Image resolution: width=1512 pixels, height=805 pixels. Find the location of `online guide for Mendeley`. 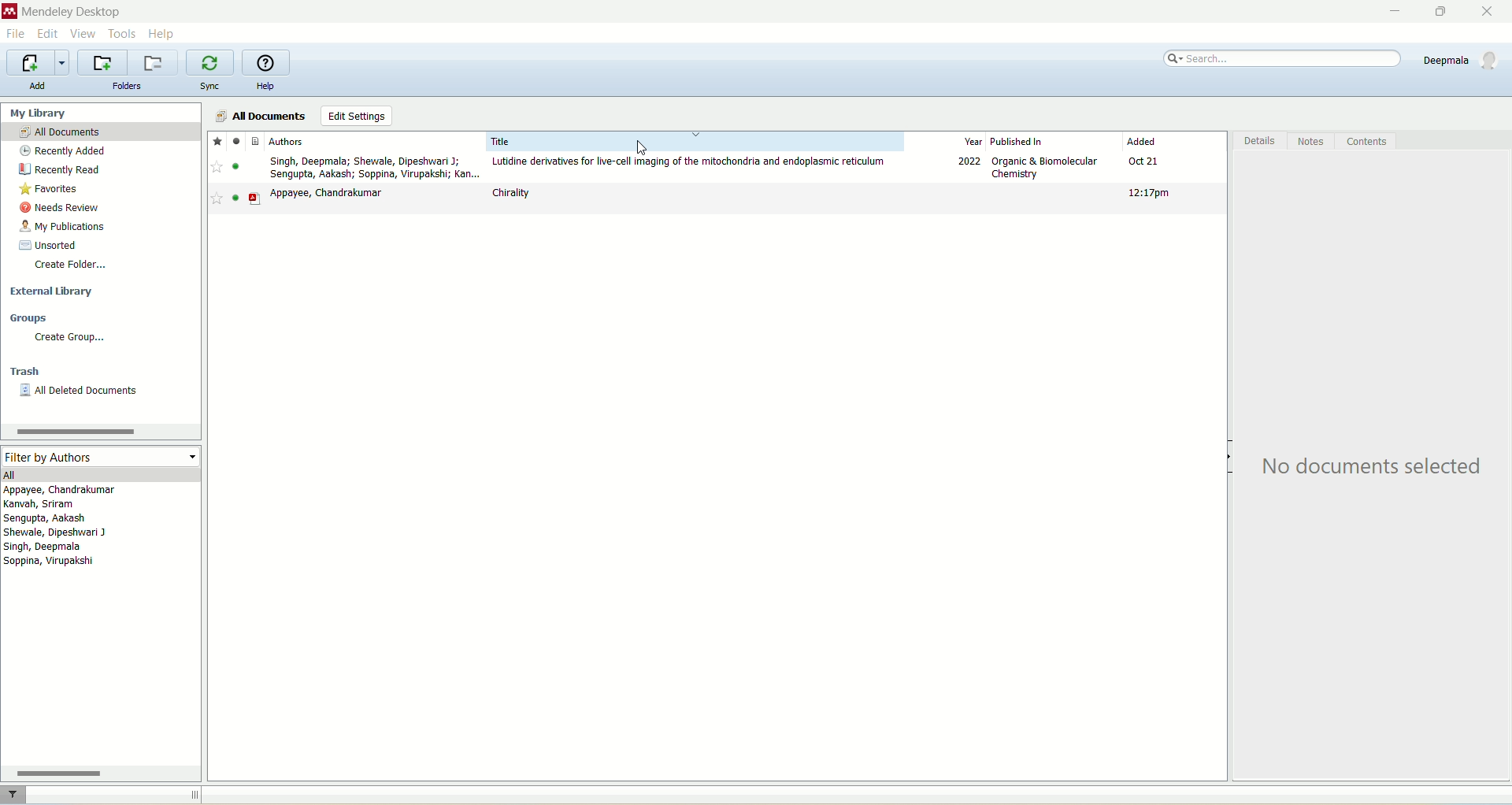

online guide for Mendeley is located at coordinates (266, 63).